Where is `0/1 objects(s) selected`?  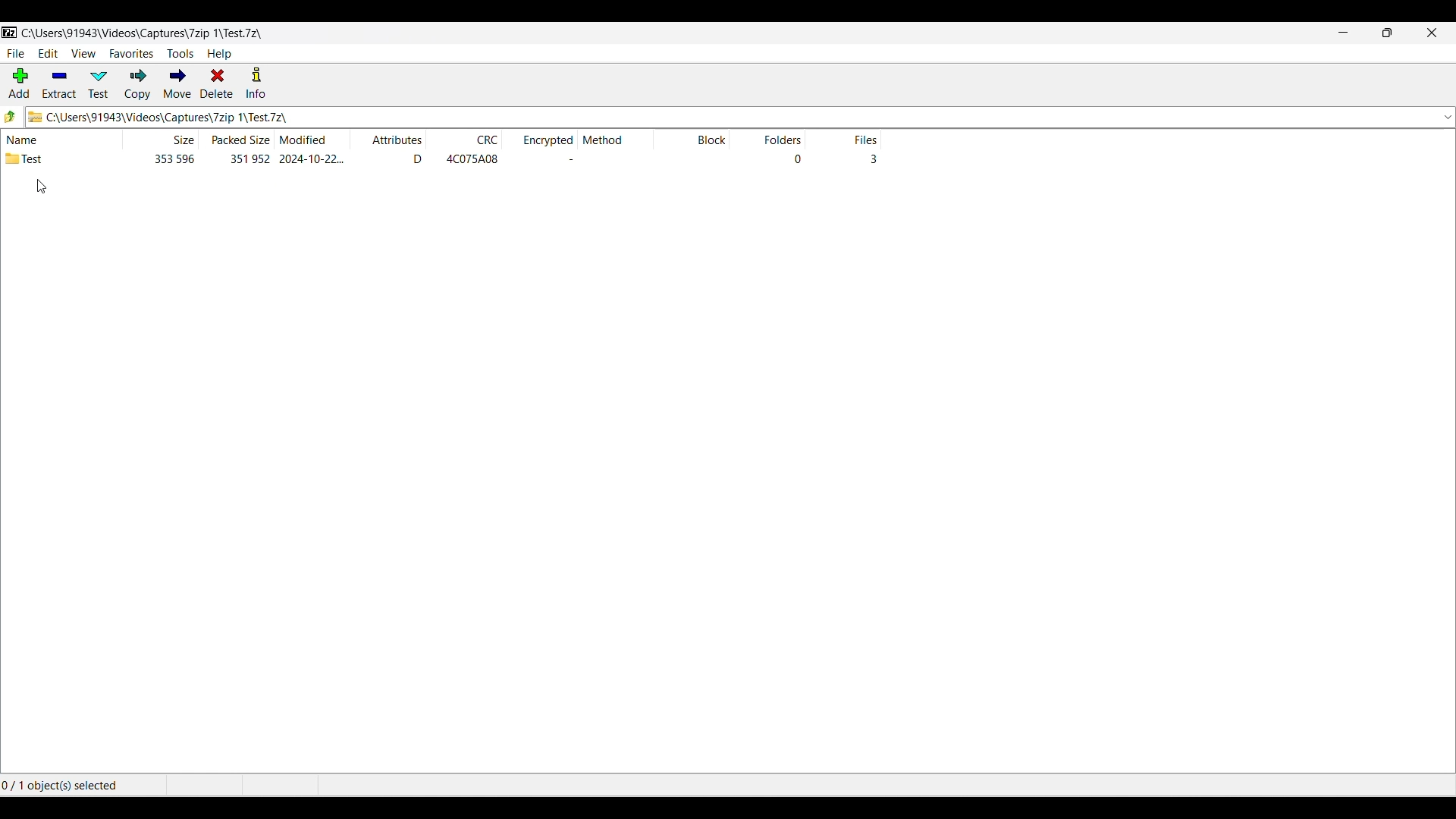
0/1 objects(s) selected is located at coordinates (81, 785).